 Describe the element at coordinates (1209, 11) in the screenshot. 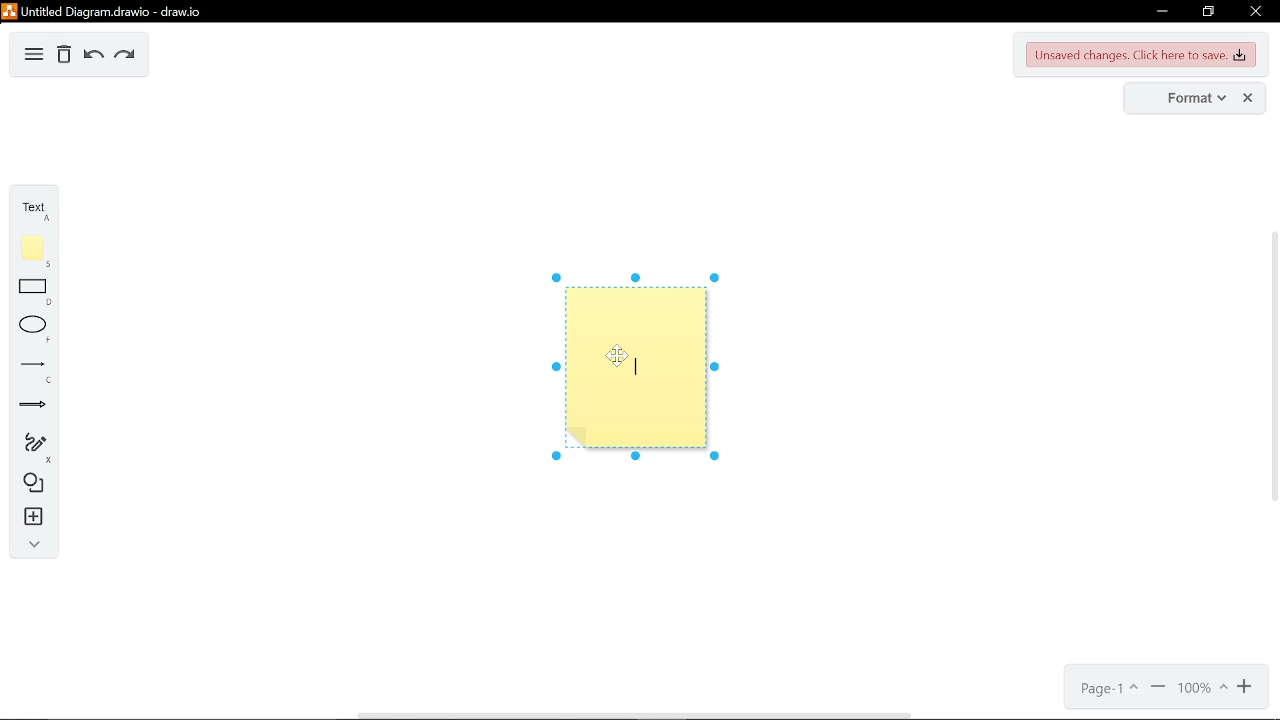

I see `restore down` at that location.